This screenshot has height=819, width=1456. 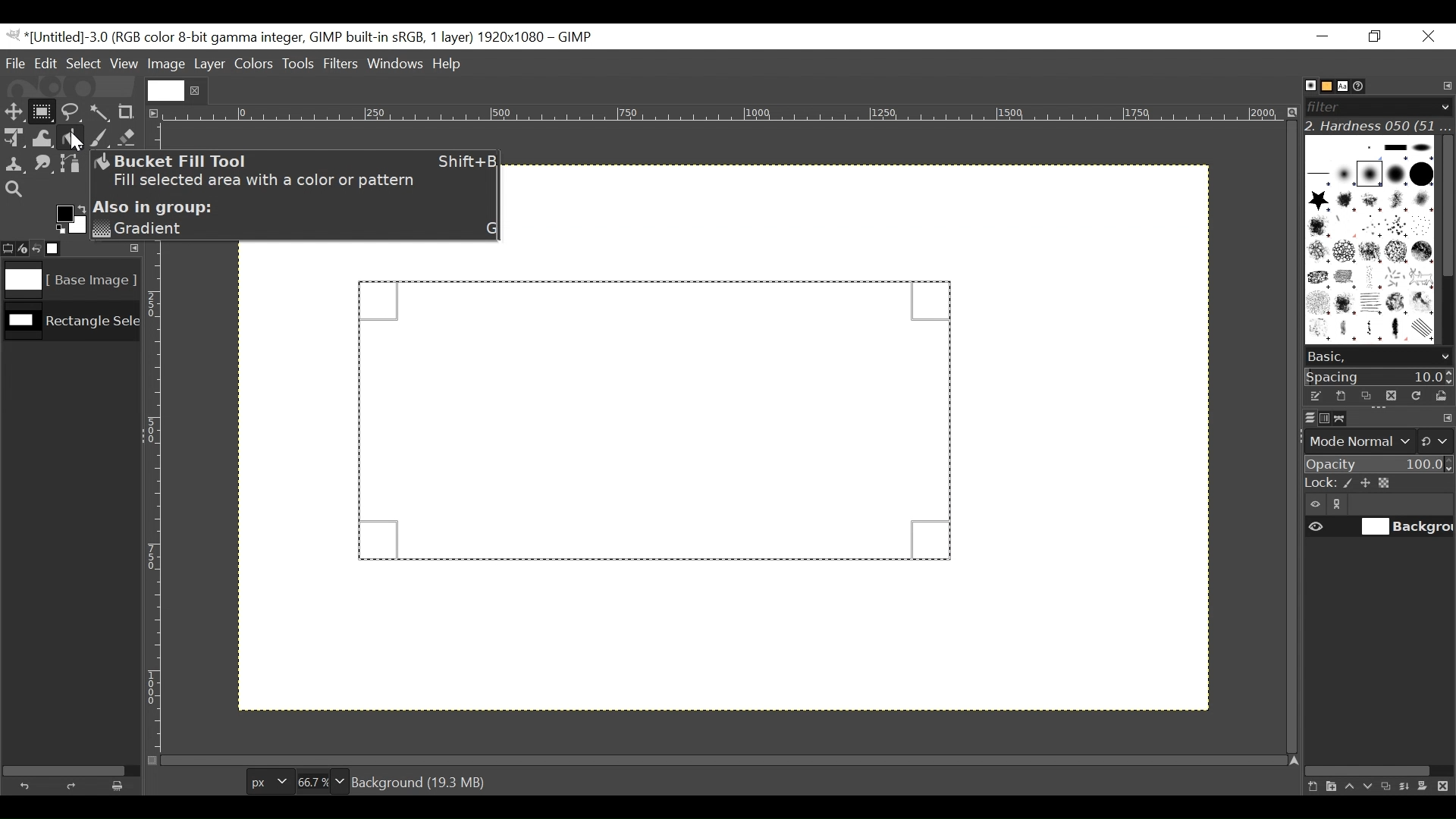 I want to click on Warp Transform, so click(x=42, y=140).